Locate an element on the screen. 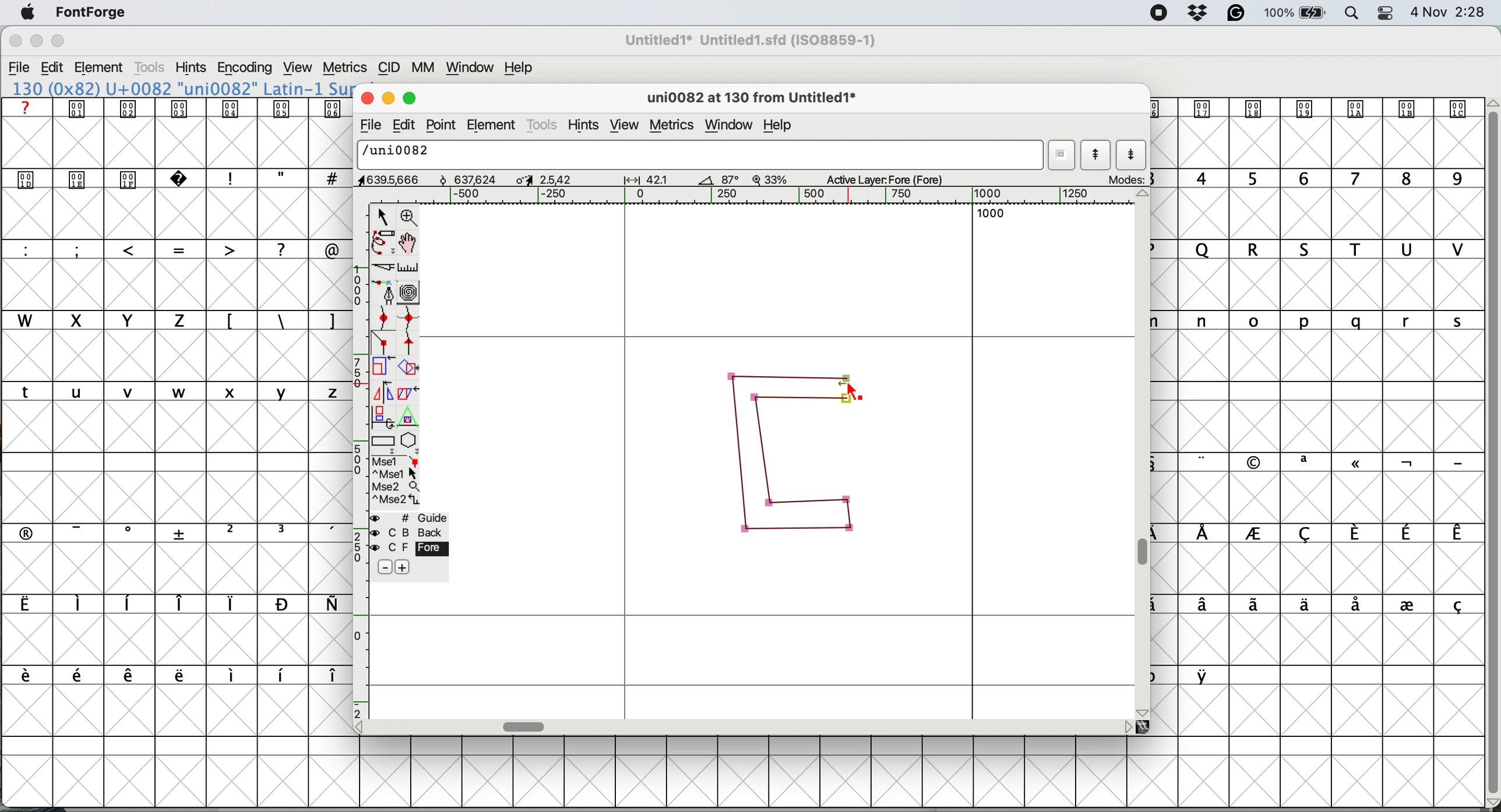 This screenshot has width=1501, height=812. skew the selection is located at coordinates (406, 391).